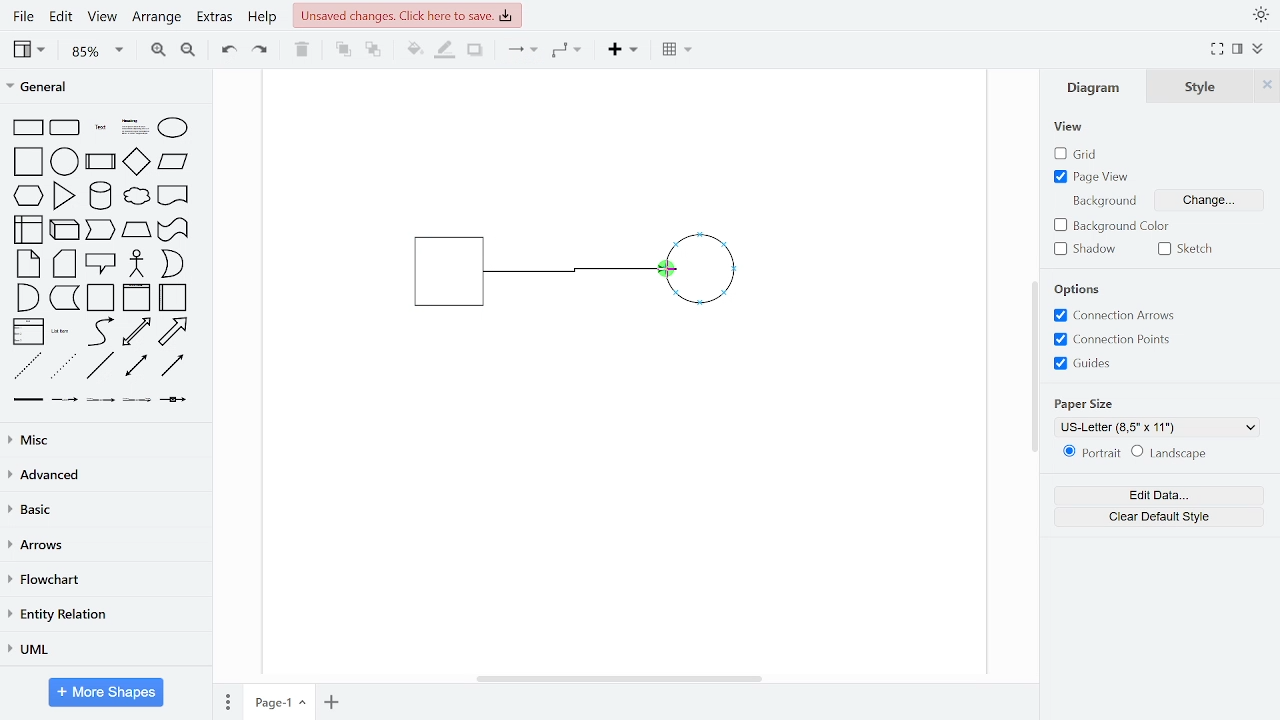  What do you see at coordinates (1112, 339) in the screenshot?
I see `connection points` at bounding box center [1112, 339].